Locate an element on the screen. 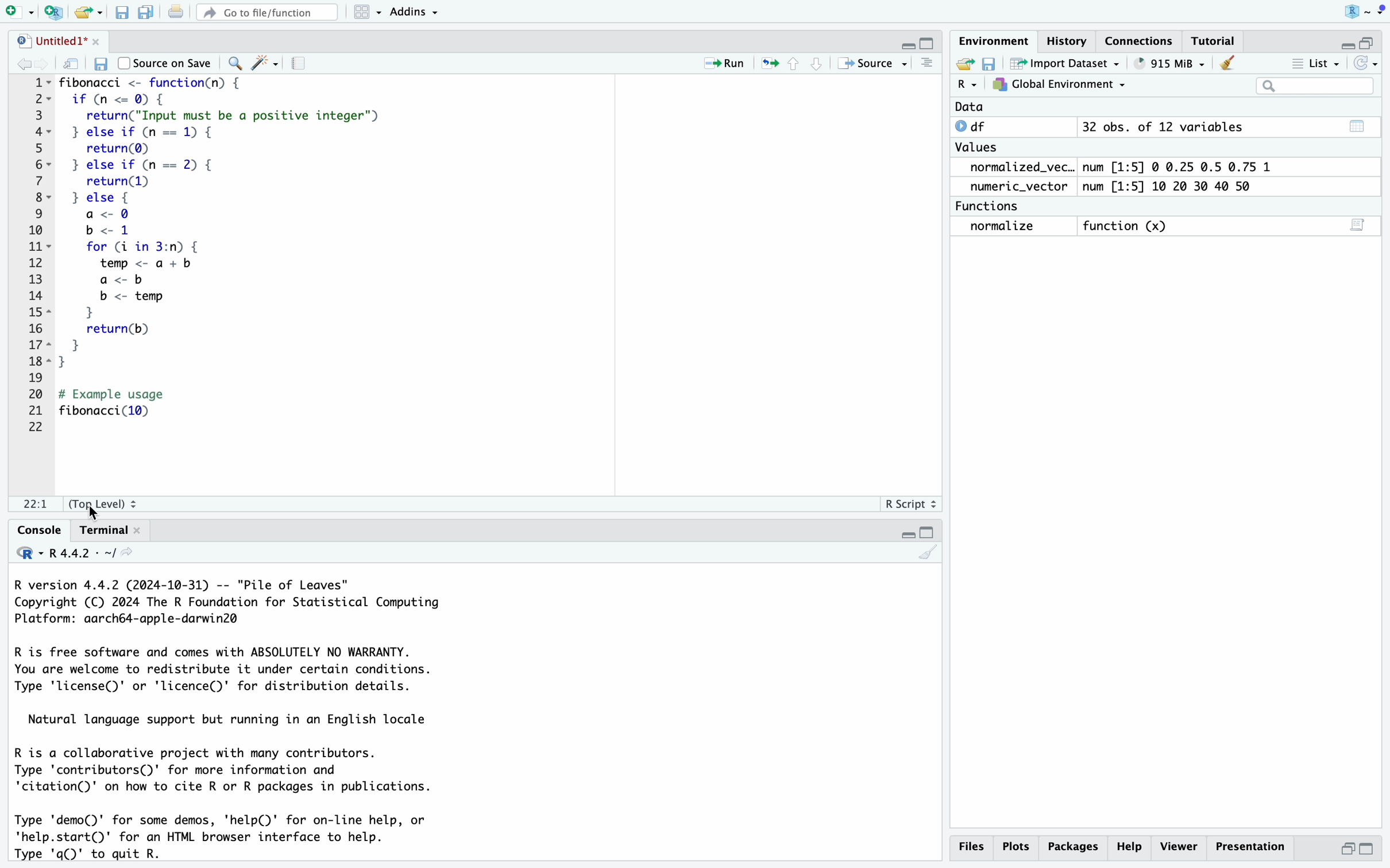 This screenshot has height=868, width=1390. num [1:5] 10 20 30 40 50 is located at coordinates (1175, 186).